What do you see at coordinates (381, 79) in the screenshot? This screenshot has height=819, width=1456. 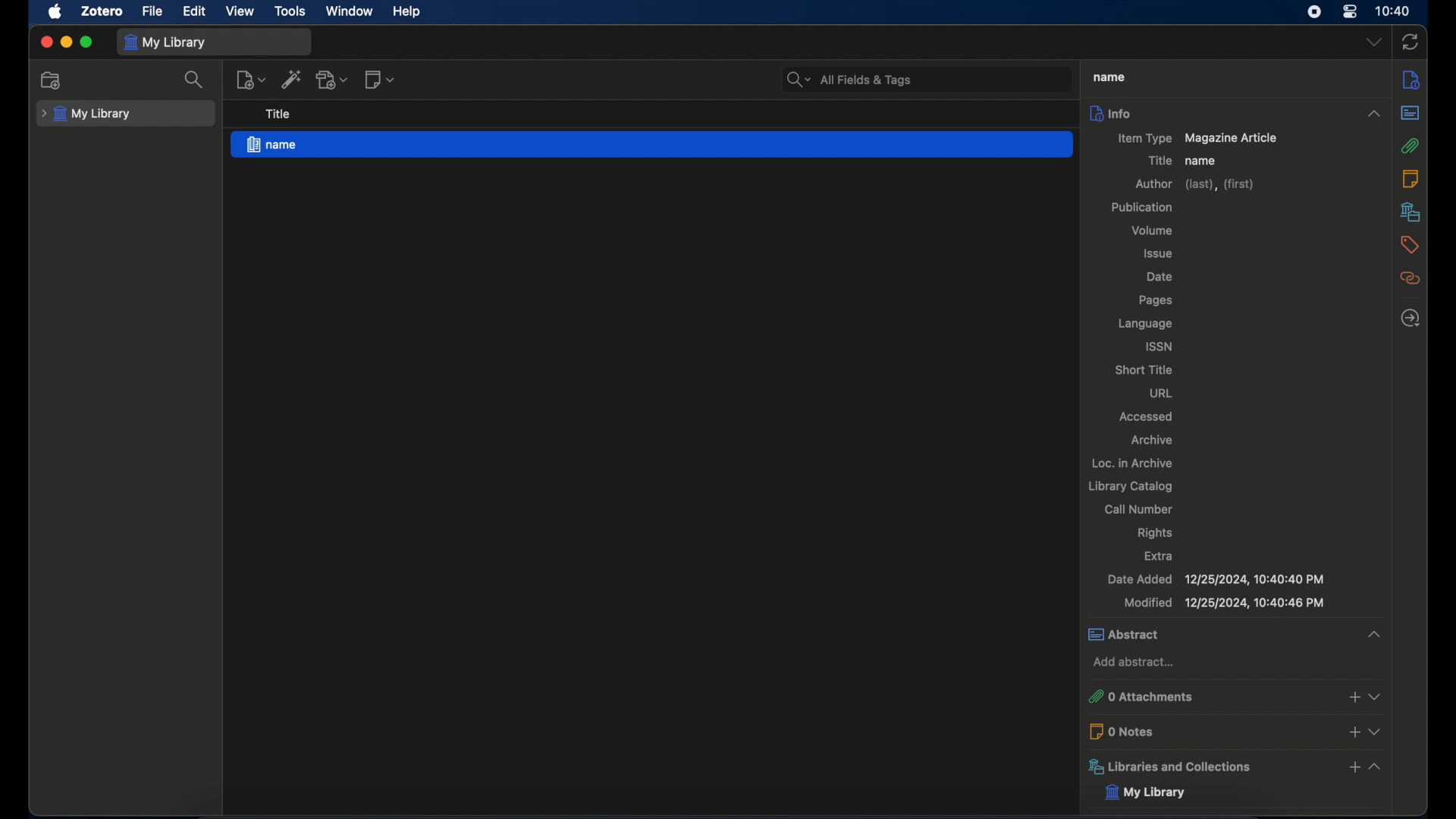 I see `new note` at bounding box center [381, 79].